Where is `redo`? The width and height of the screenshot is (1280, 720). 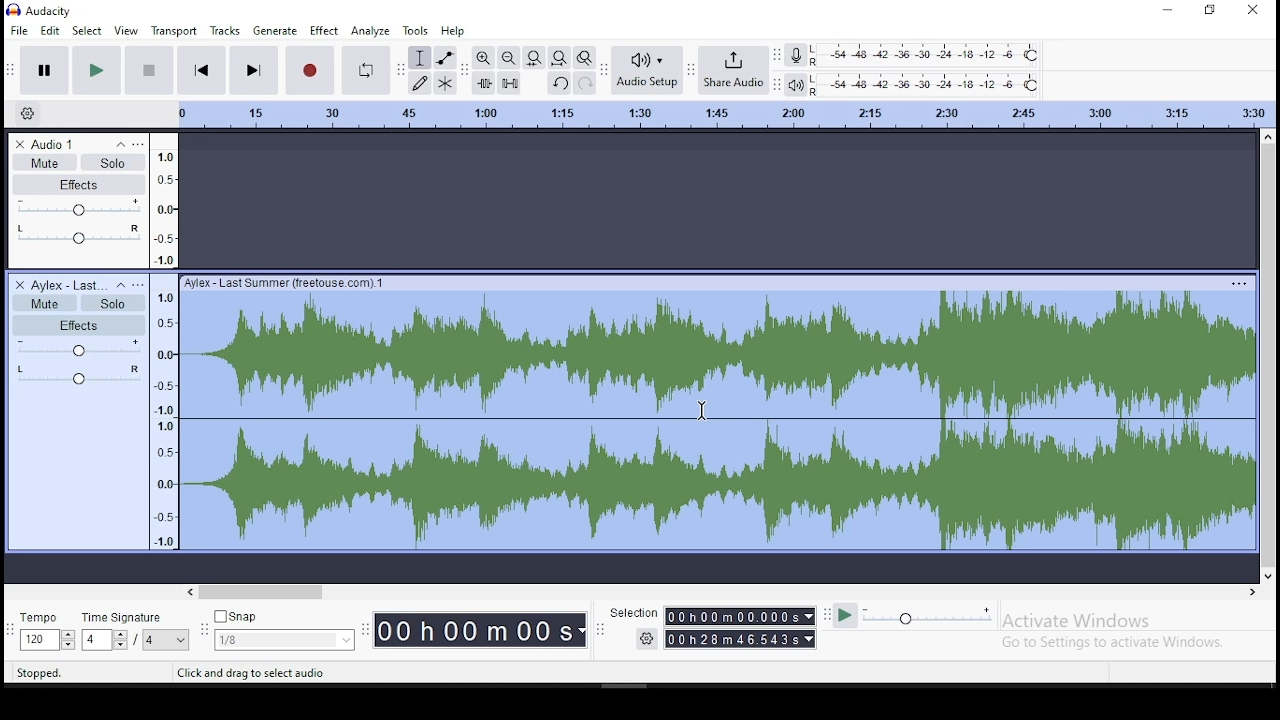
redo is located at coordinates (588, 84).